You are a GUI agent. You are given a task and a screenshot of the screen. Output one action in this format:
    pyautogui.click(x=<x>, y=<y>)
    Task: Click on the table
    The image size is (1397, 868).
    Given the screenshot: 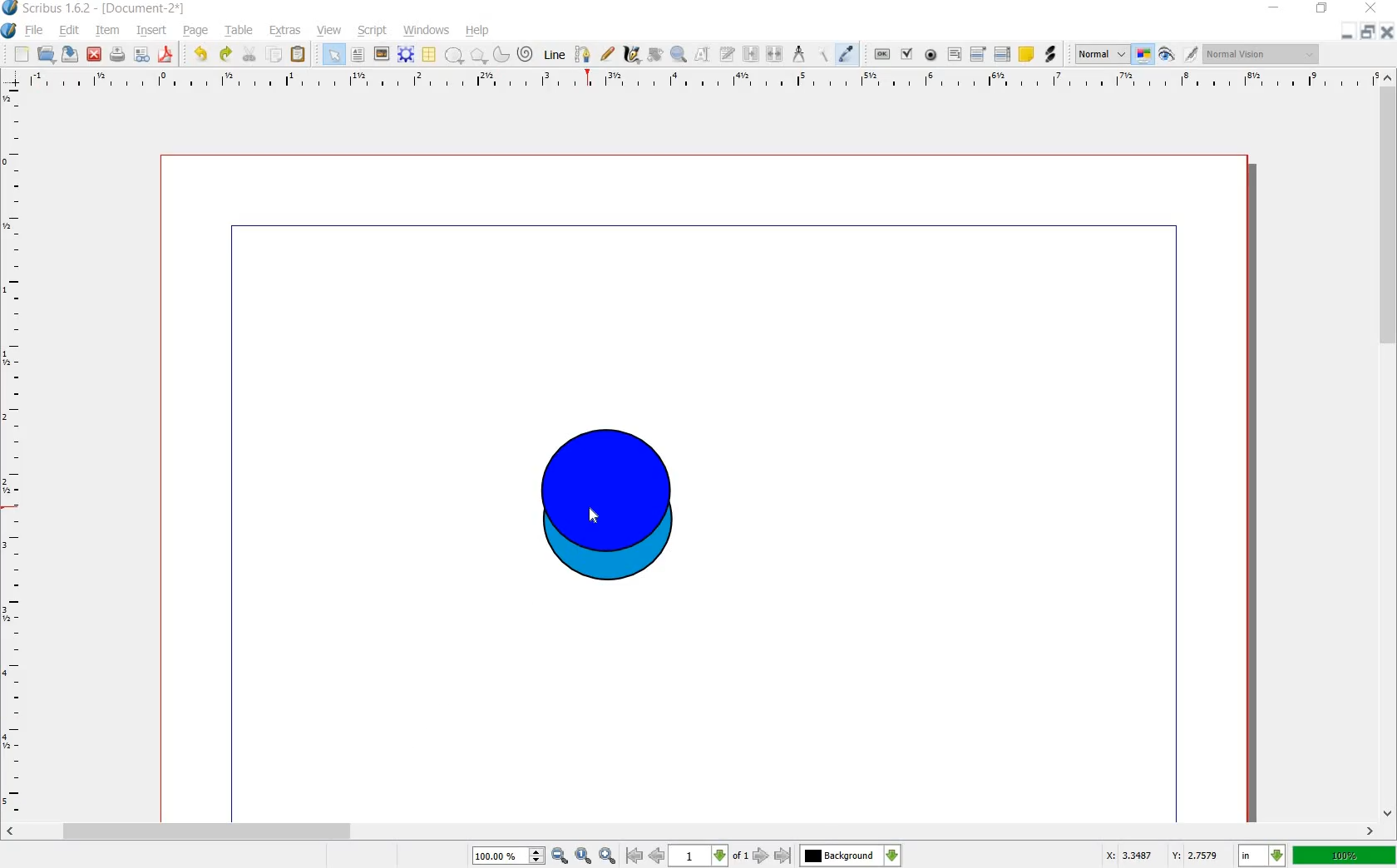 What is the action you would take?
    pyautogui.click(x=428, y=55)
    